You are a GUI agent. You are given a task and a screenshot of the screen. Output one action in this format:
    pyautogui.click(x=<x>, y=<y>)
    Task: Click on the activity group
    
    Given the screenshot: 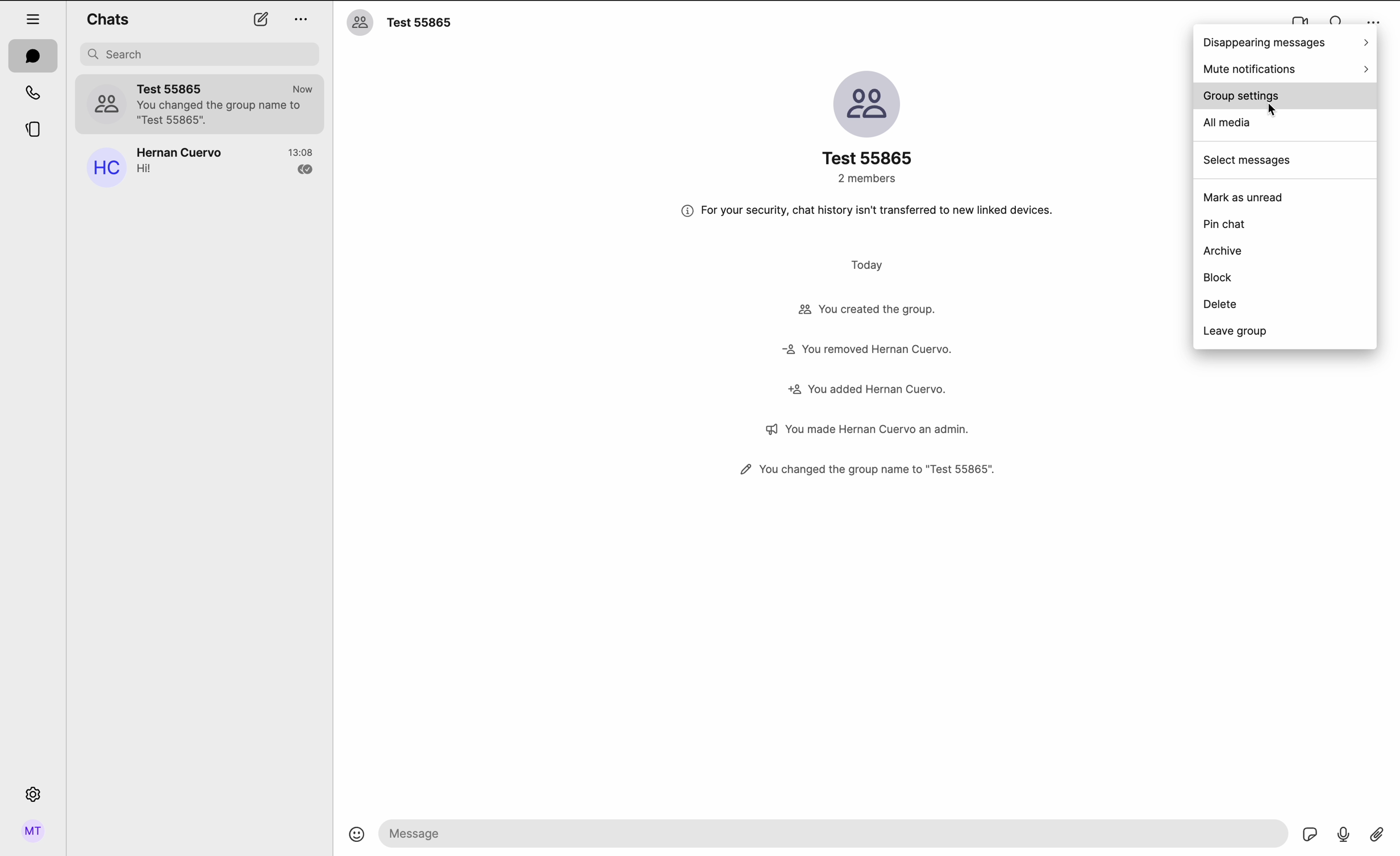 What is the action you would take?
    pyautogui.click(x=868, y=387)
    